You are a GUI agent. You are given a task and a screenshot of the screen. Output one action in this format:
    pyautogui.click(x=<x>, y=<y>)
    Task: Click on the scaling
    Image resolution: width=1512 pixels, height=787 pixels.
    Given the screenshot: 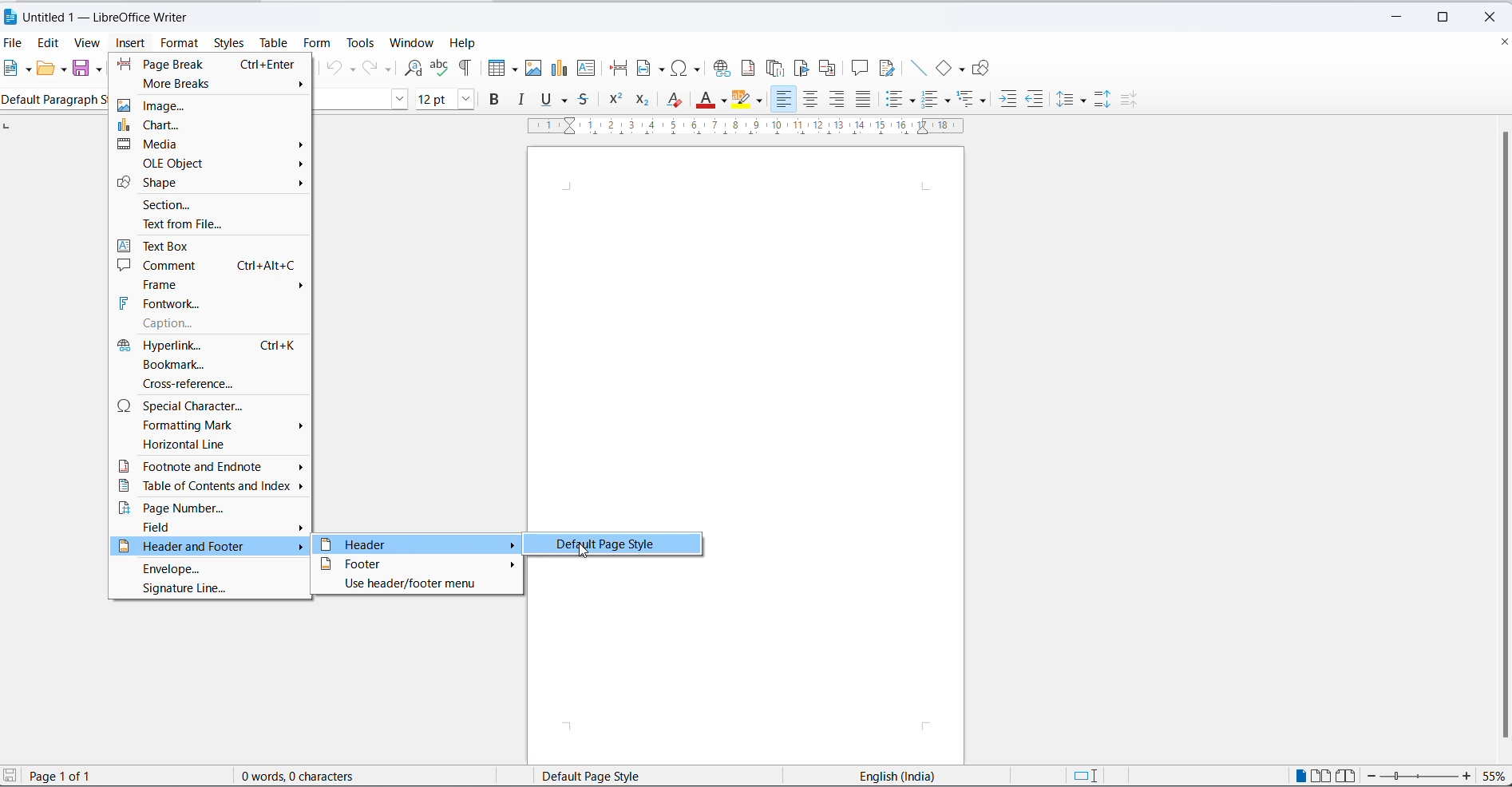 What is the action you would take?
    pyautogui.click(x=759, y=130)
    